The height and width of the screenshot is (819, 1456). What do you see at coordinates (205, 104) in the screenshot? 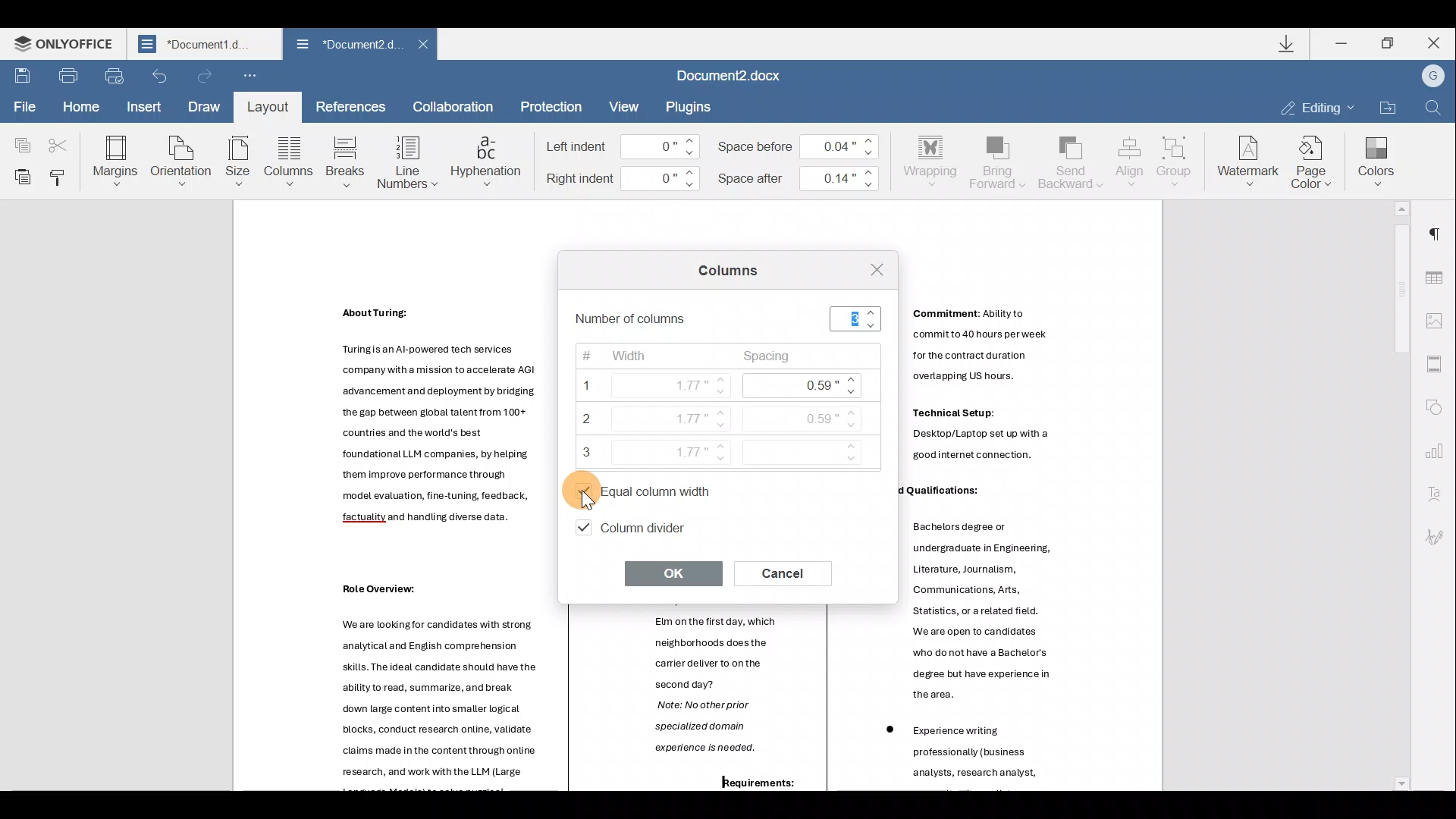
I see `Draw` at bounding box center [205, 104].